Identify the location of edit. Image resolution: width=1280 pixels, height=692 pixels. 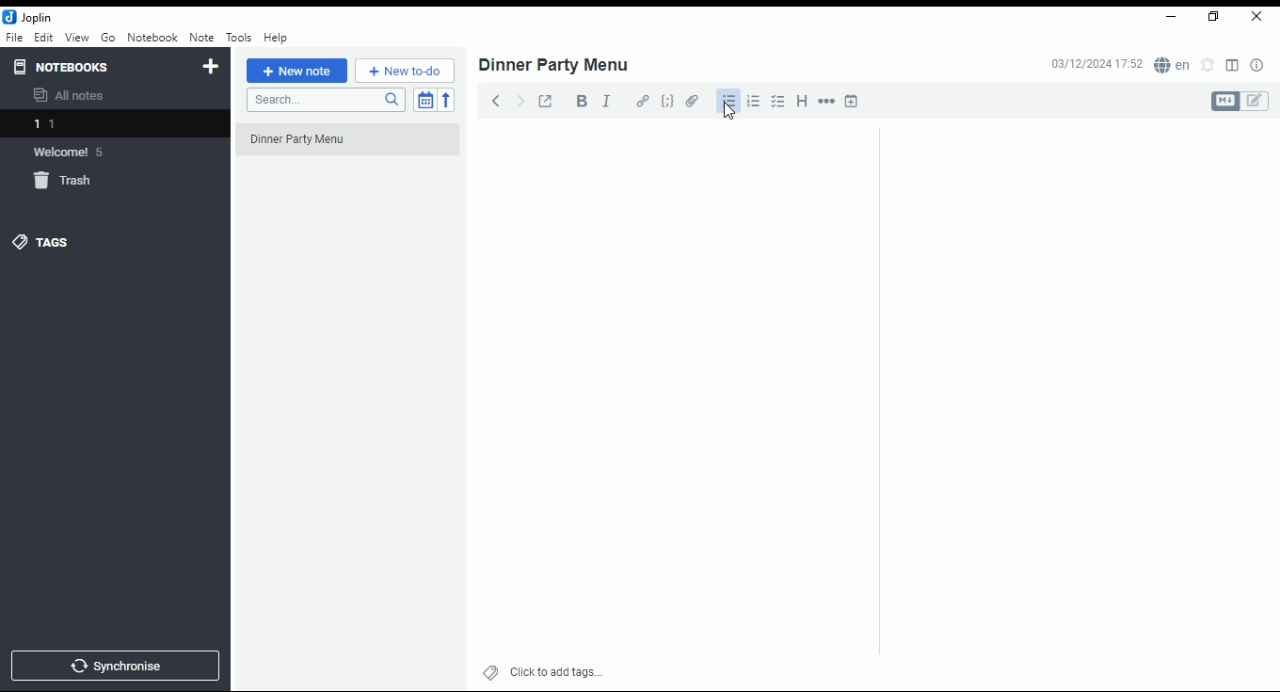
(44, 37).